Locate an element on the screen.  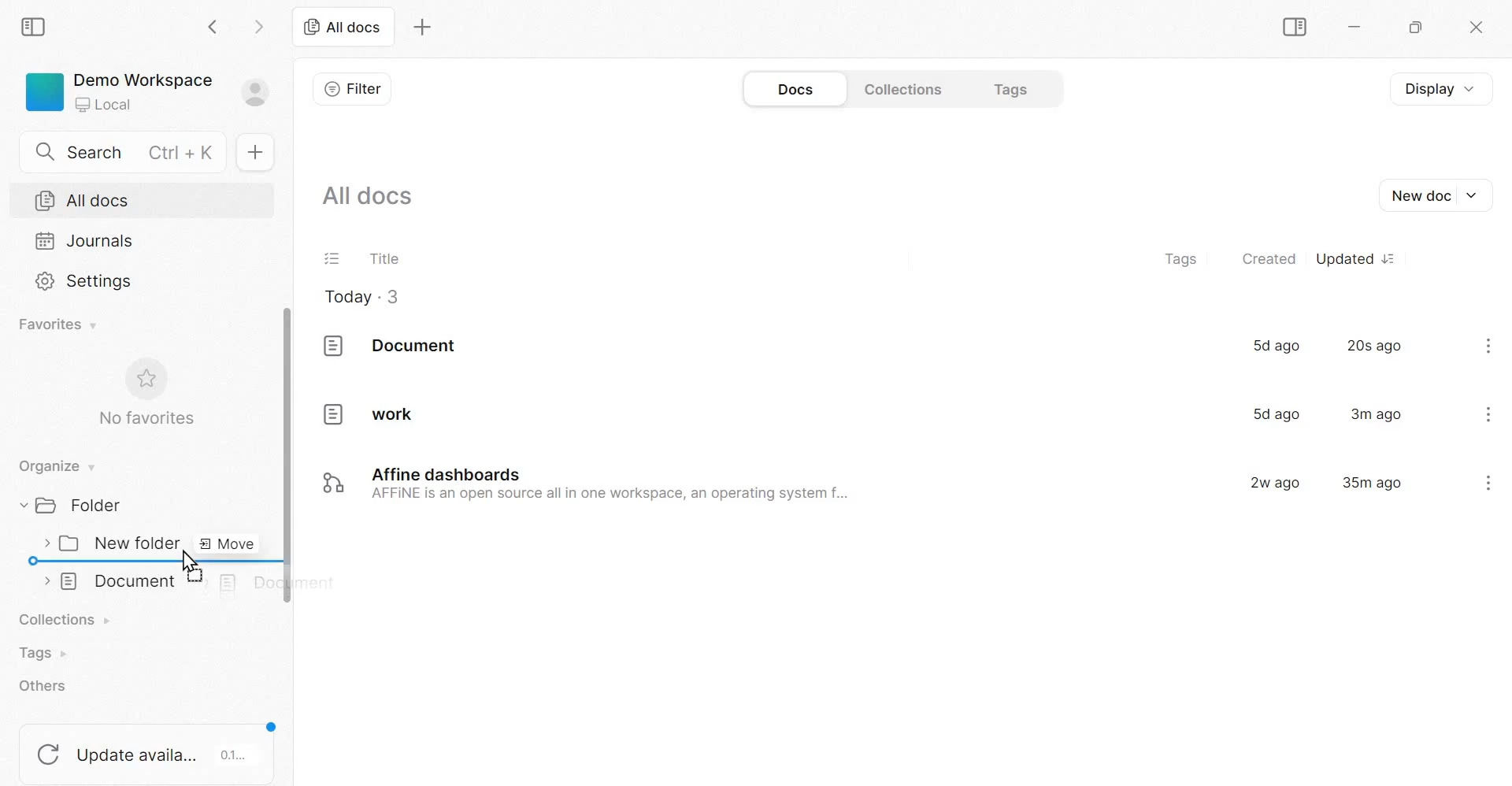
document is located at coordinates (394, 346).